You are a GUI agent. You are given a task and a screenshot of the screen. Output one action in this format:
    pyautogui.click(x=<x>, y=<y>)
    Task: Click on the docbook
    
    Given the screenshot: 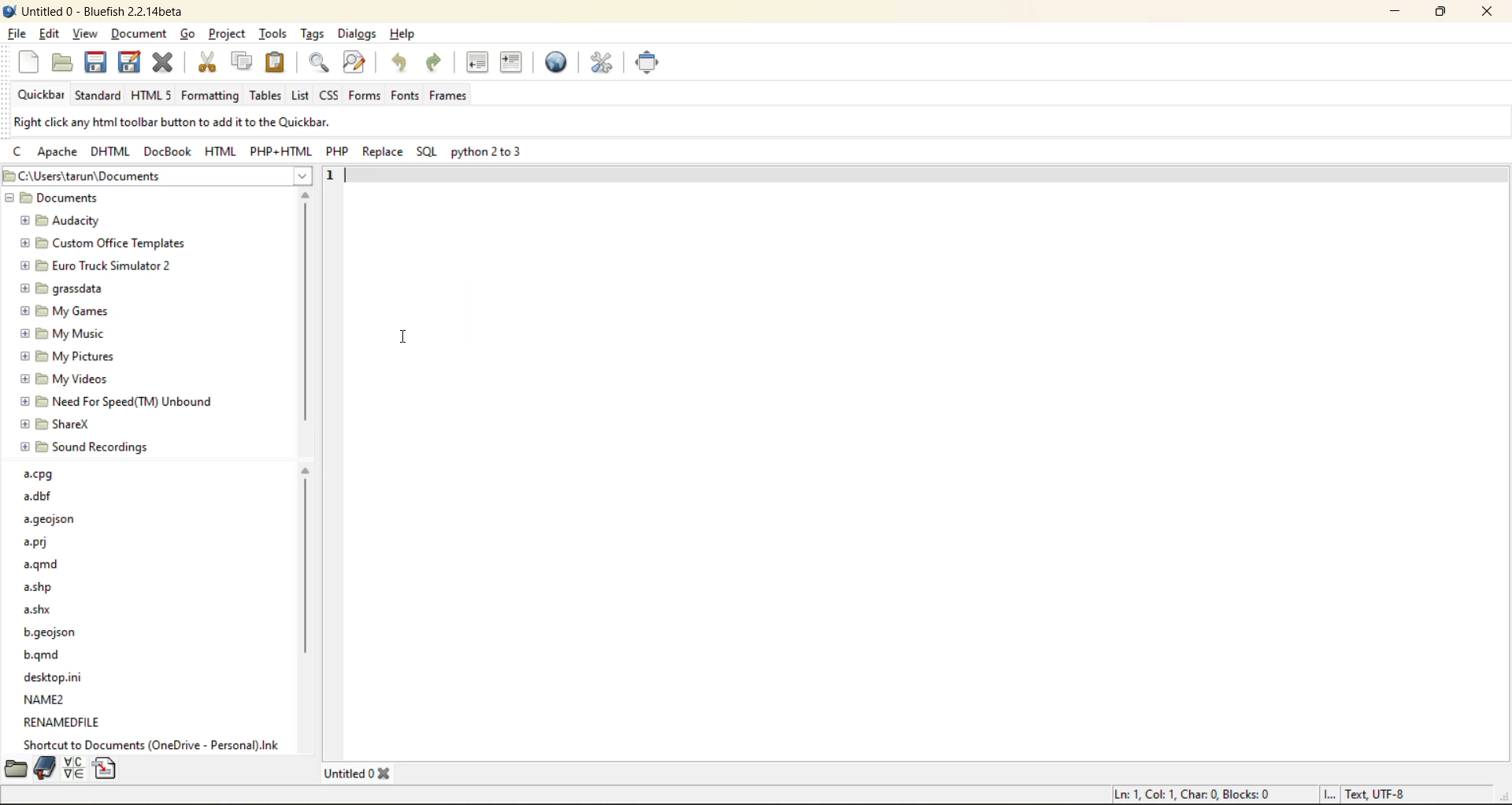 What is the action you would take?
    pyautogui.click(x=170, y=150)
    